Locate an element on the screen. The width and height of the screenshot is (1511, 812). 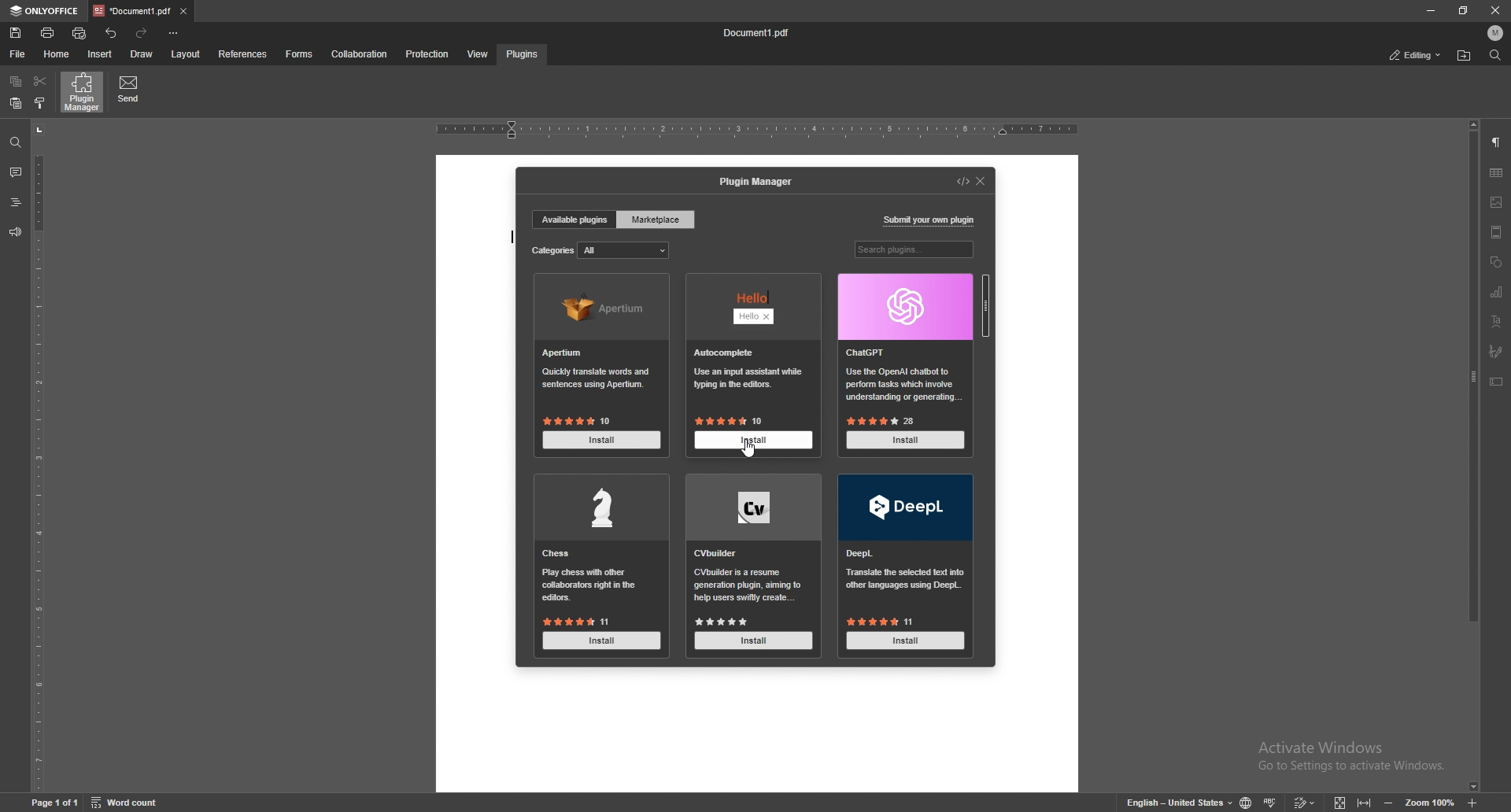
fit to screen is located at coordinates (1339, 802).